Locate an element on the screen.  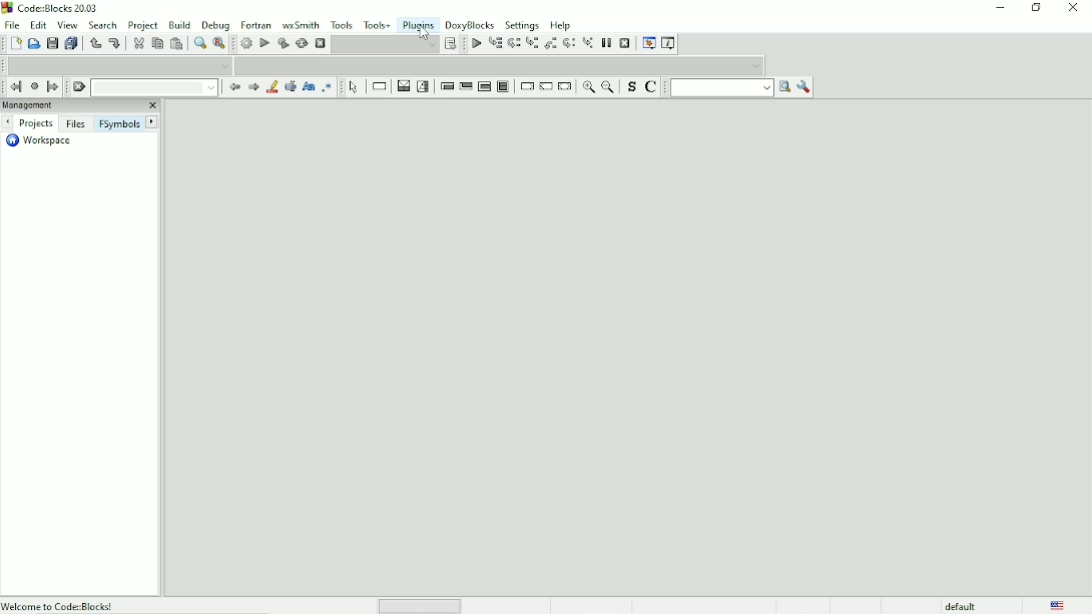
Find is located at coordinates (199, 43).